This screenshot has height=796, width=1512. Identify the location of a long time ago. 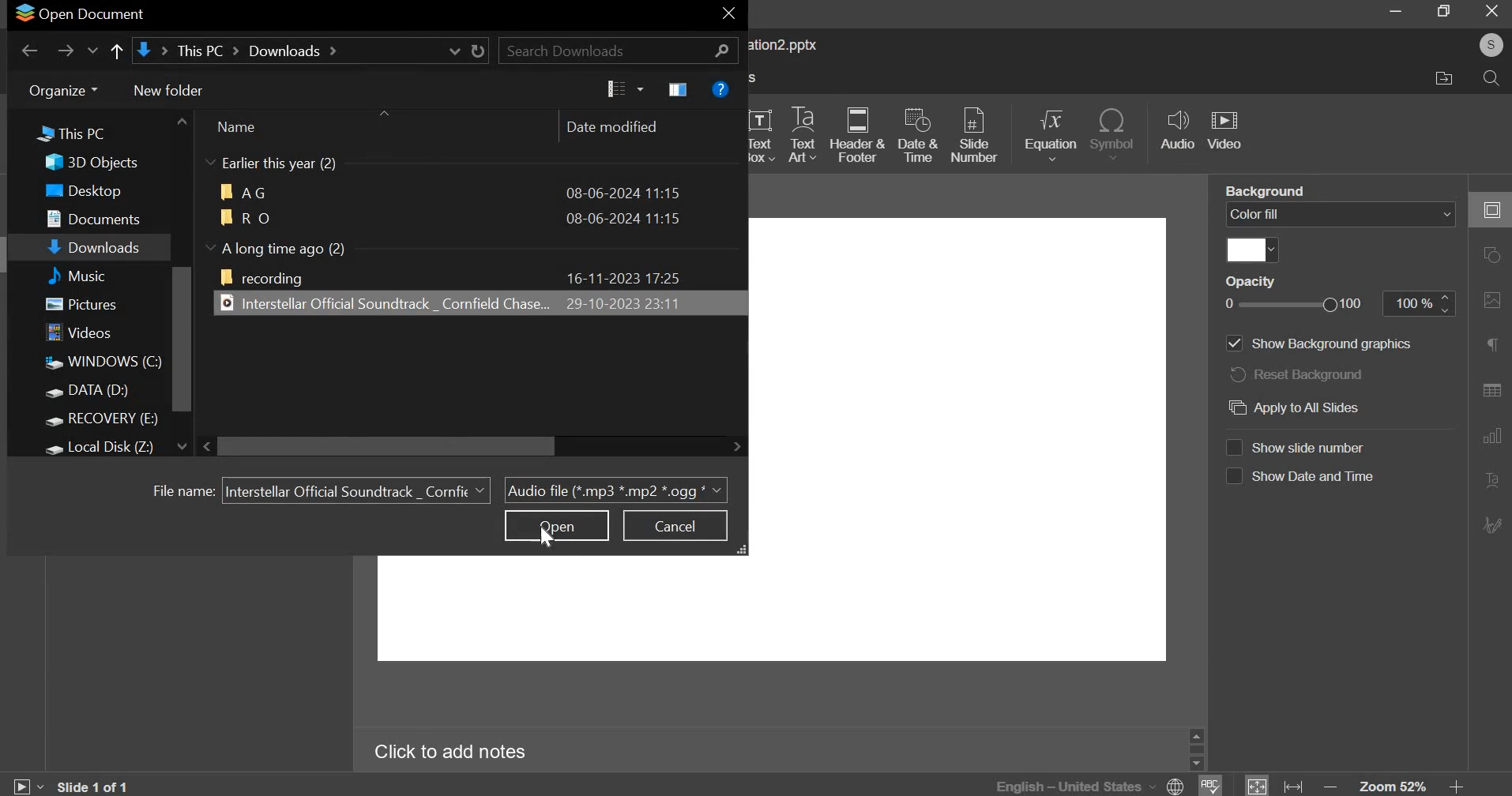
(288, 247).